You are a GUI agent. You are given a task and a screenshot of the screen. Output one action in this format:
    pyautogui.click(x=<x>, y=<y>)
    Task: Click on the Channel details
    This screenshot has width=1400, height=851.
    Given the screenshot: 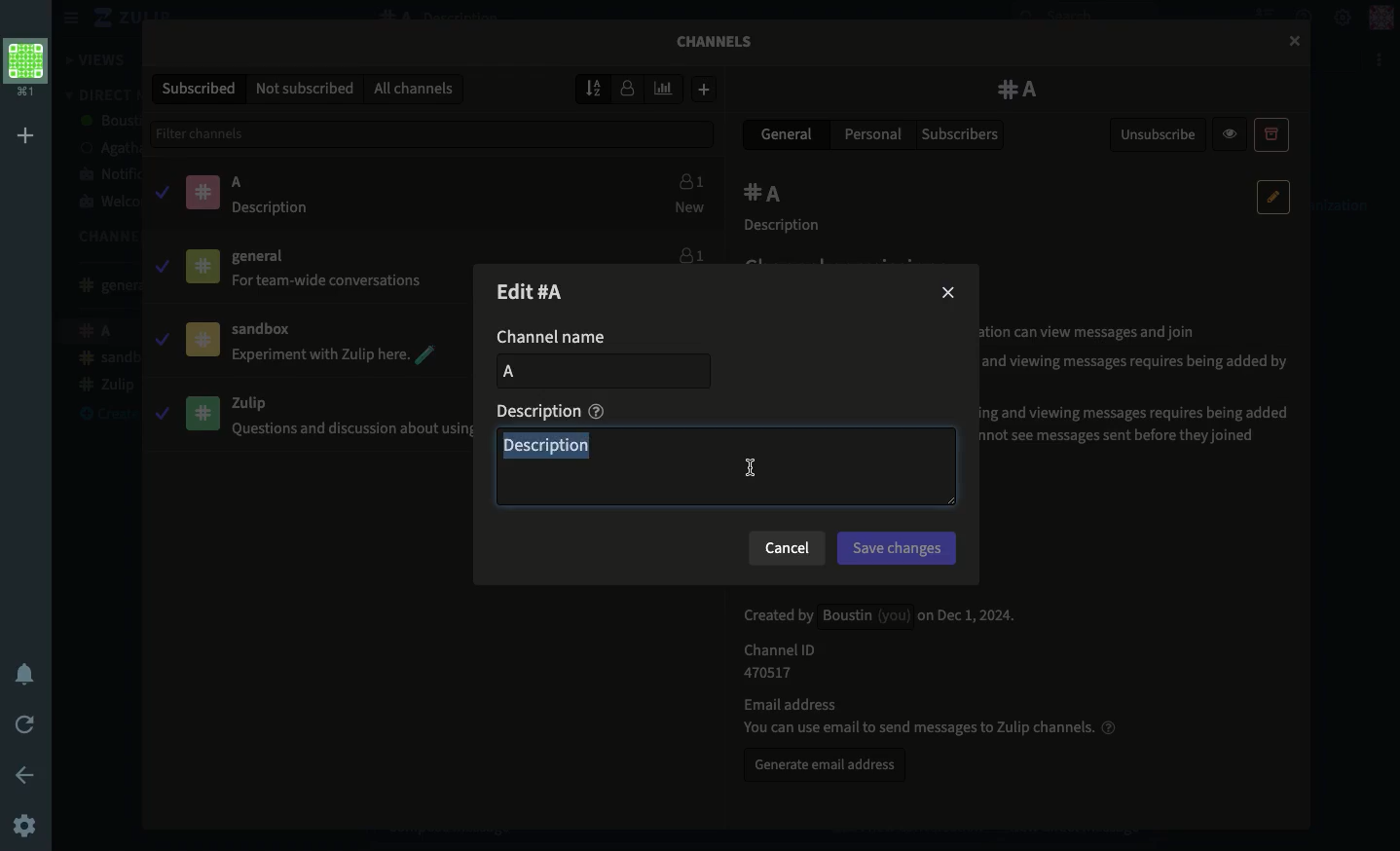 What is the action you would take?
    pyautogui.click(x=918, y=669)
    